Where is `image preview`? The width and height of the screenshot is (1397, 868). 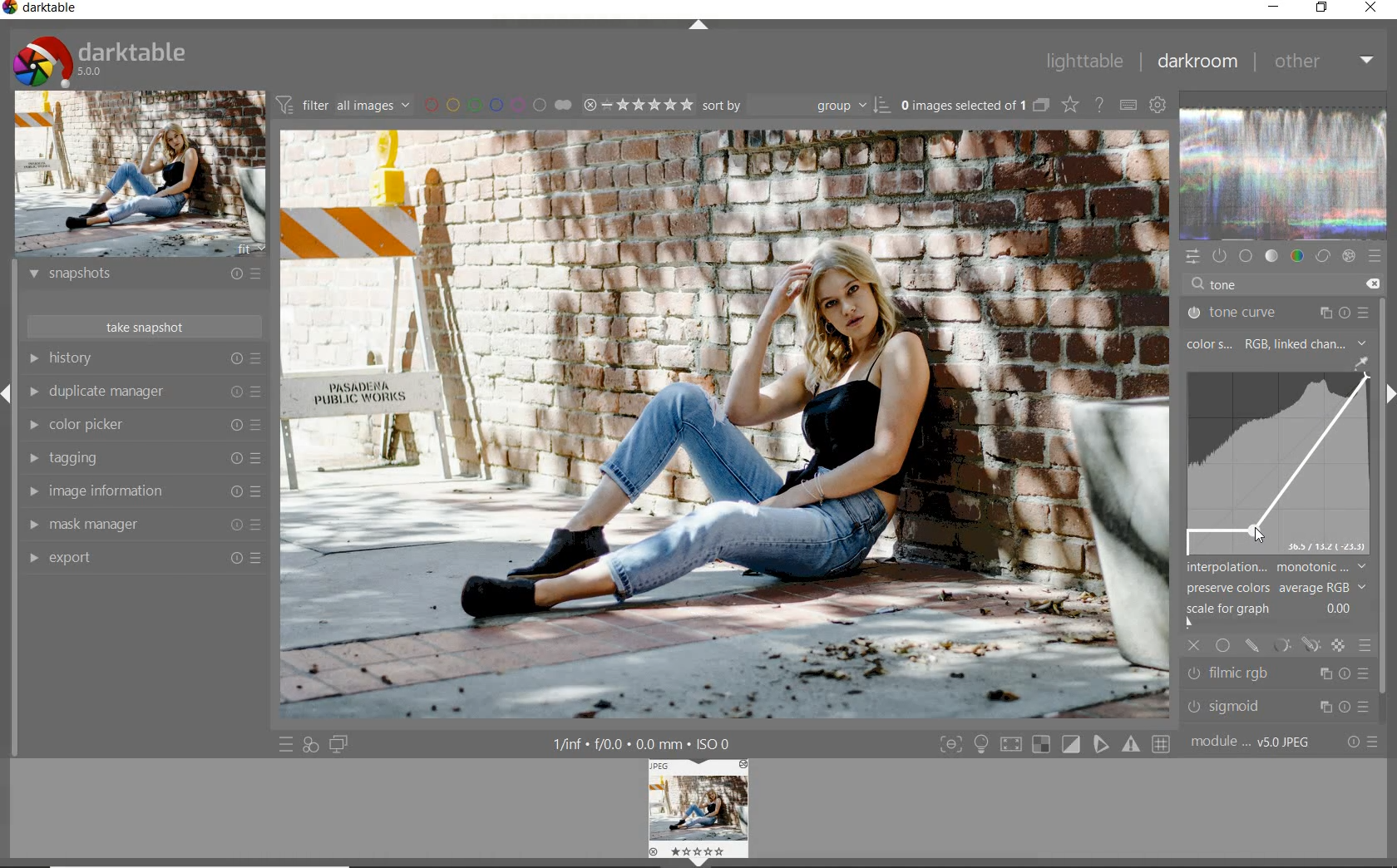
image preview is located at coordinates (698, 812).